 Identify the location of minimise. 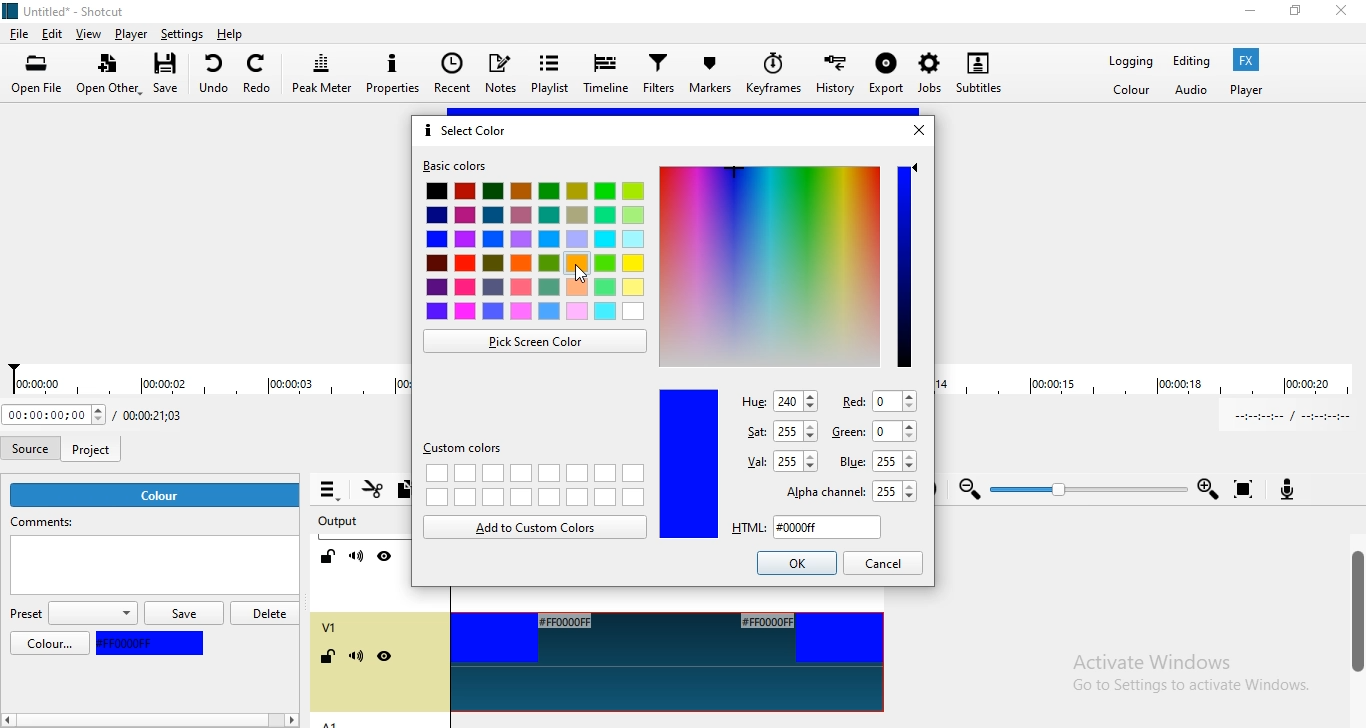
(1250, 14).